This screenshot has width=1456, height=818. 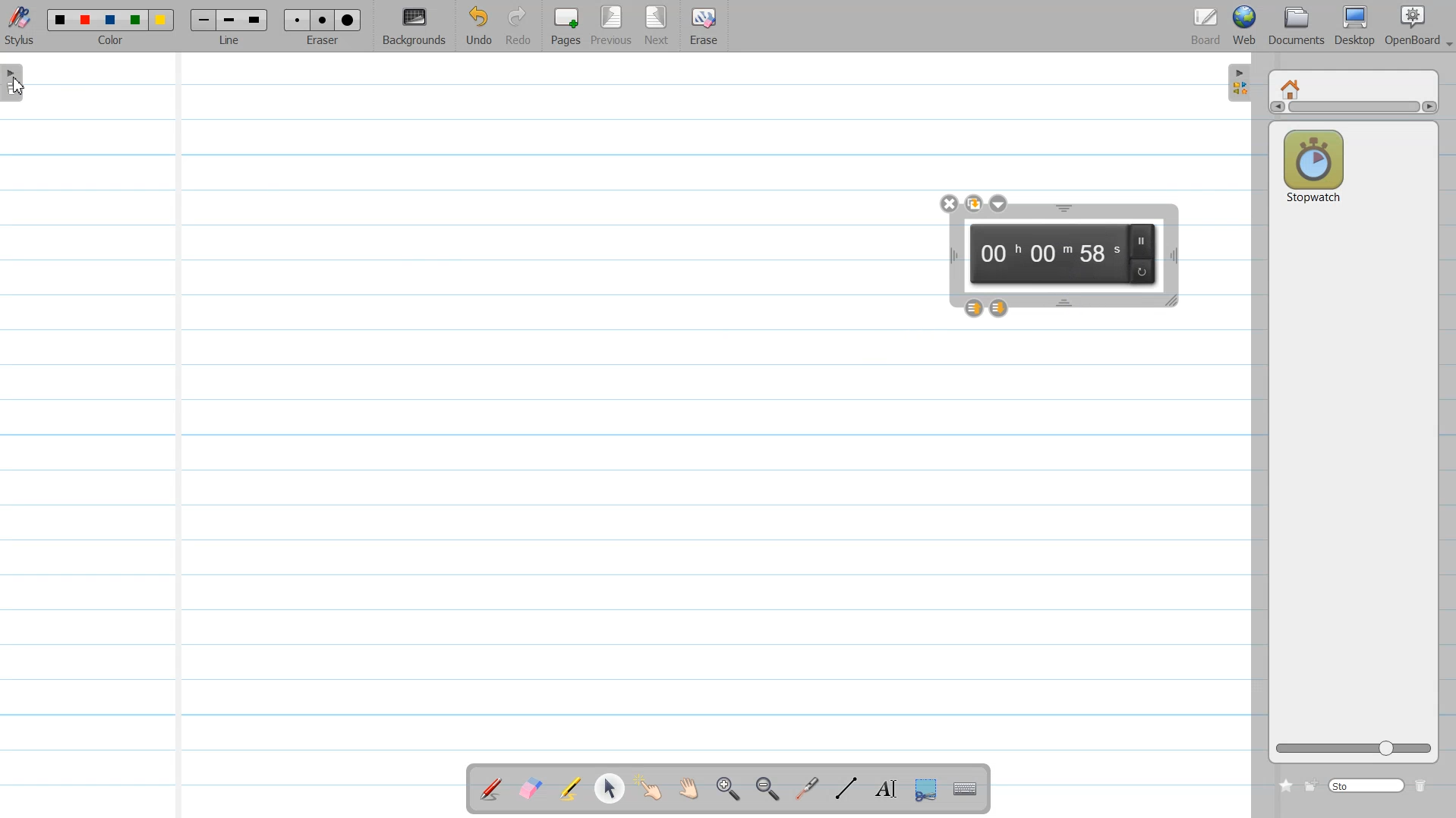 I want to click on Scroll Page, so click(x=691, y=789).